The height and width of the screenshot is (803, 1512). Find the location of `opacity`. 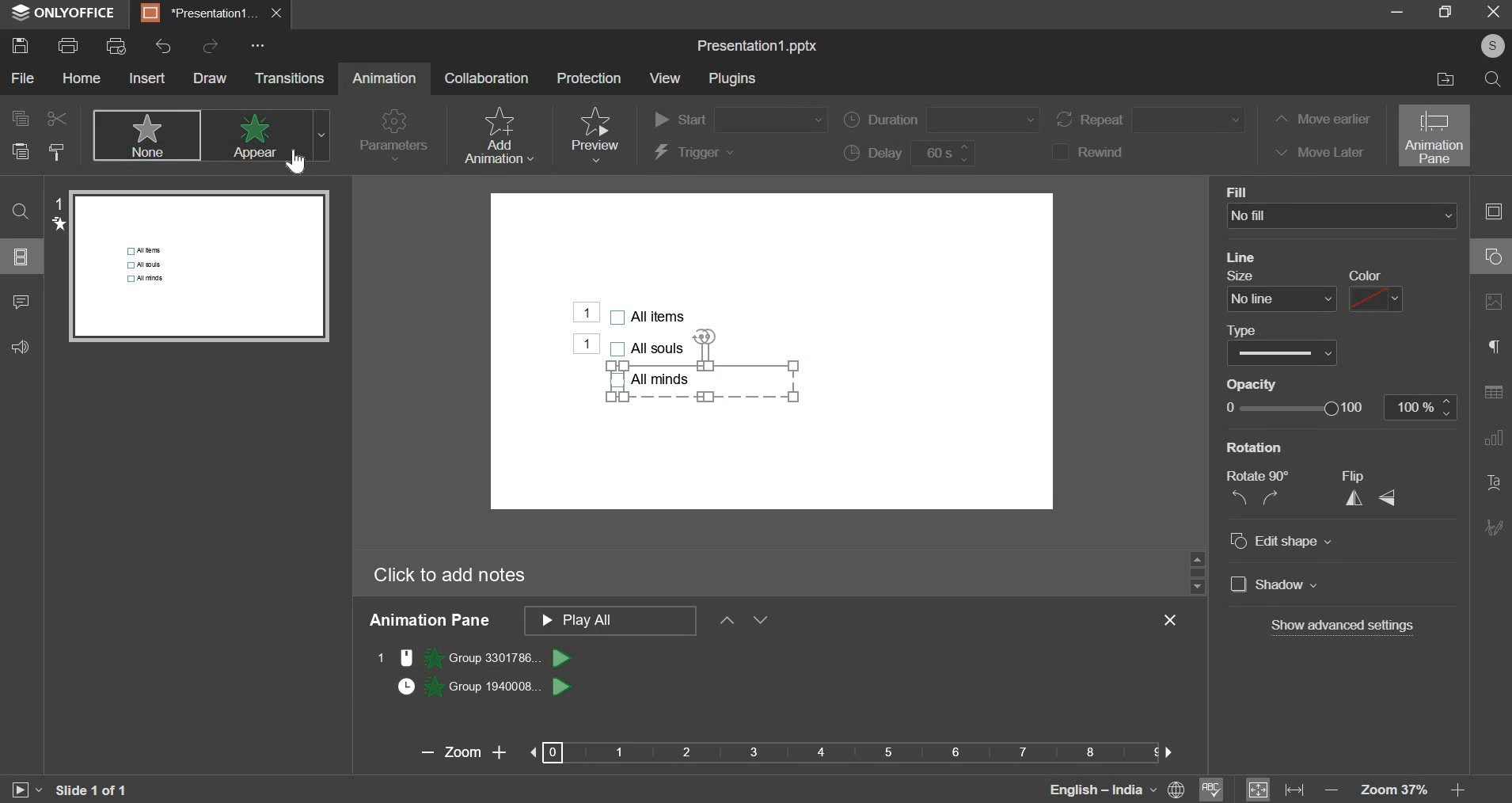

opacity is located at coordinates (1341, 408).